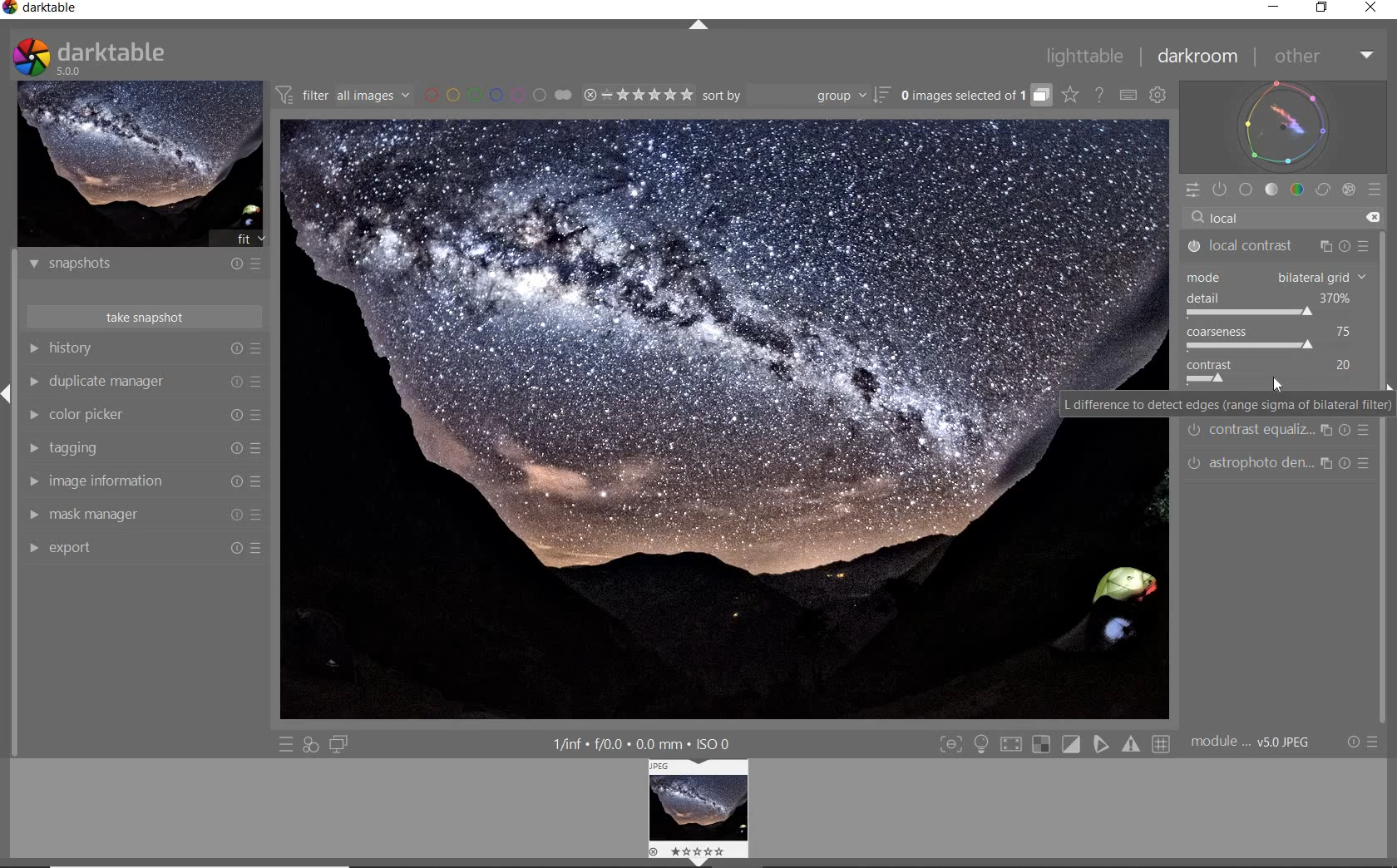 This screenshot has width=1397, height=868. What do you see at coordinates (33, 516) in the screenshot?
I see `MASK MANAGER` at bounding box center [33, 516].